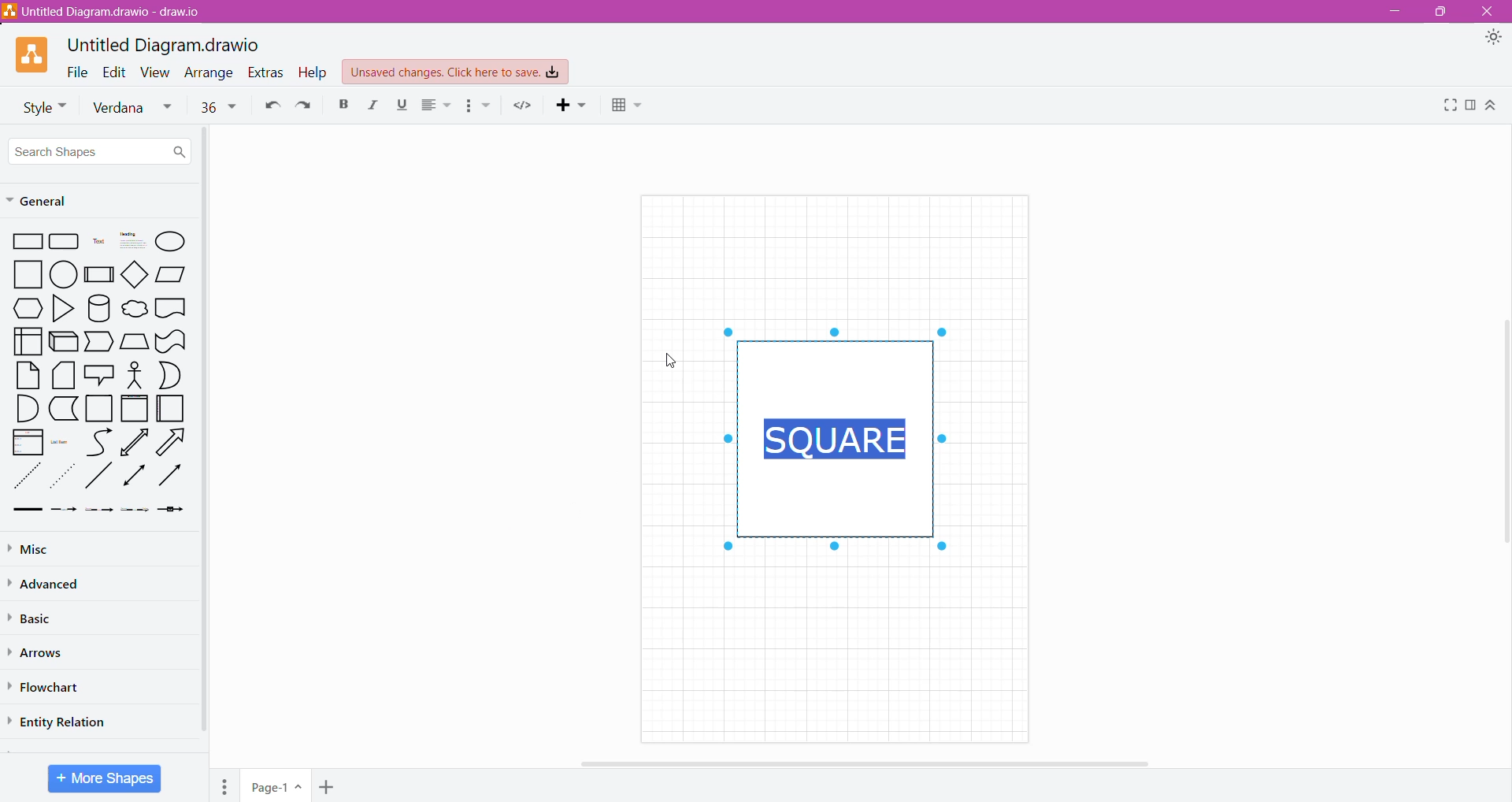 The height and width of the screenshot is (802, 1512). I want to click on Stick Figure , so click(135, 375).